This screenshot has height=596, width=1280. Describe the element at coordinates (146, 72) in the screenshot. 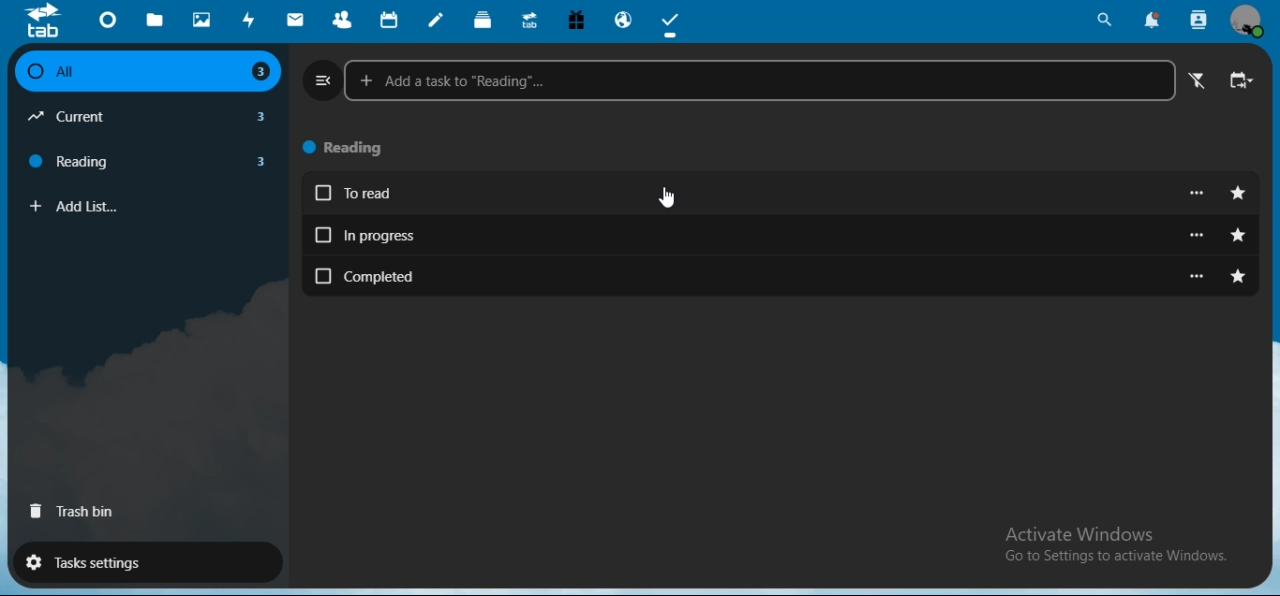

I see `all ` at that location.